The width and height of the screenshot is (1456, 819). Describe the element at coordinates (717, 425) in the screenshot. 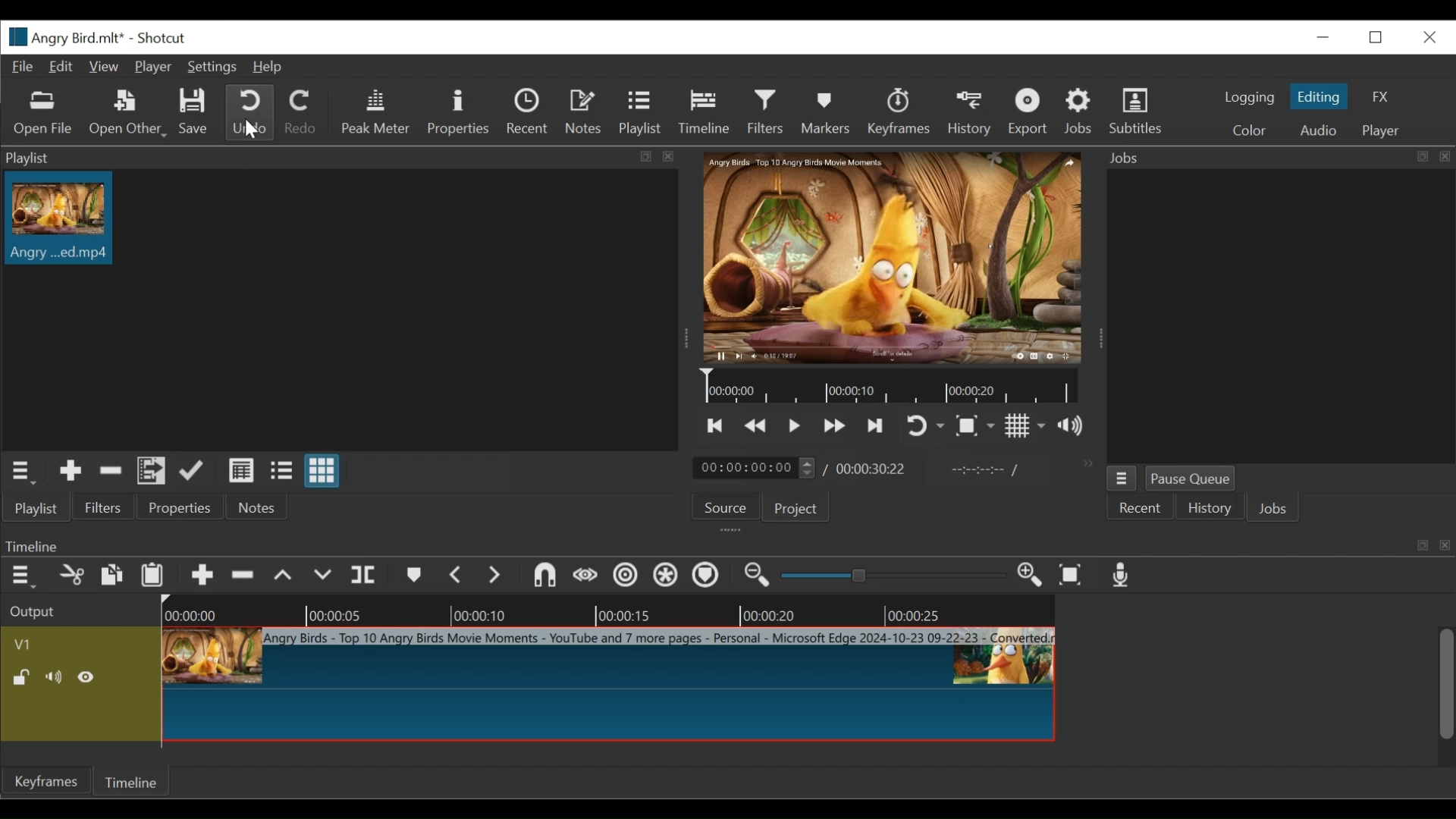

I see `Skip to the previous point` at that location.